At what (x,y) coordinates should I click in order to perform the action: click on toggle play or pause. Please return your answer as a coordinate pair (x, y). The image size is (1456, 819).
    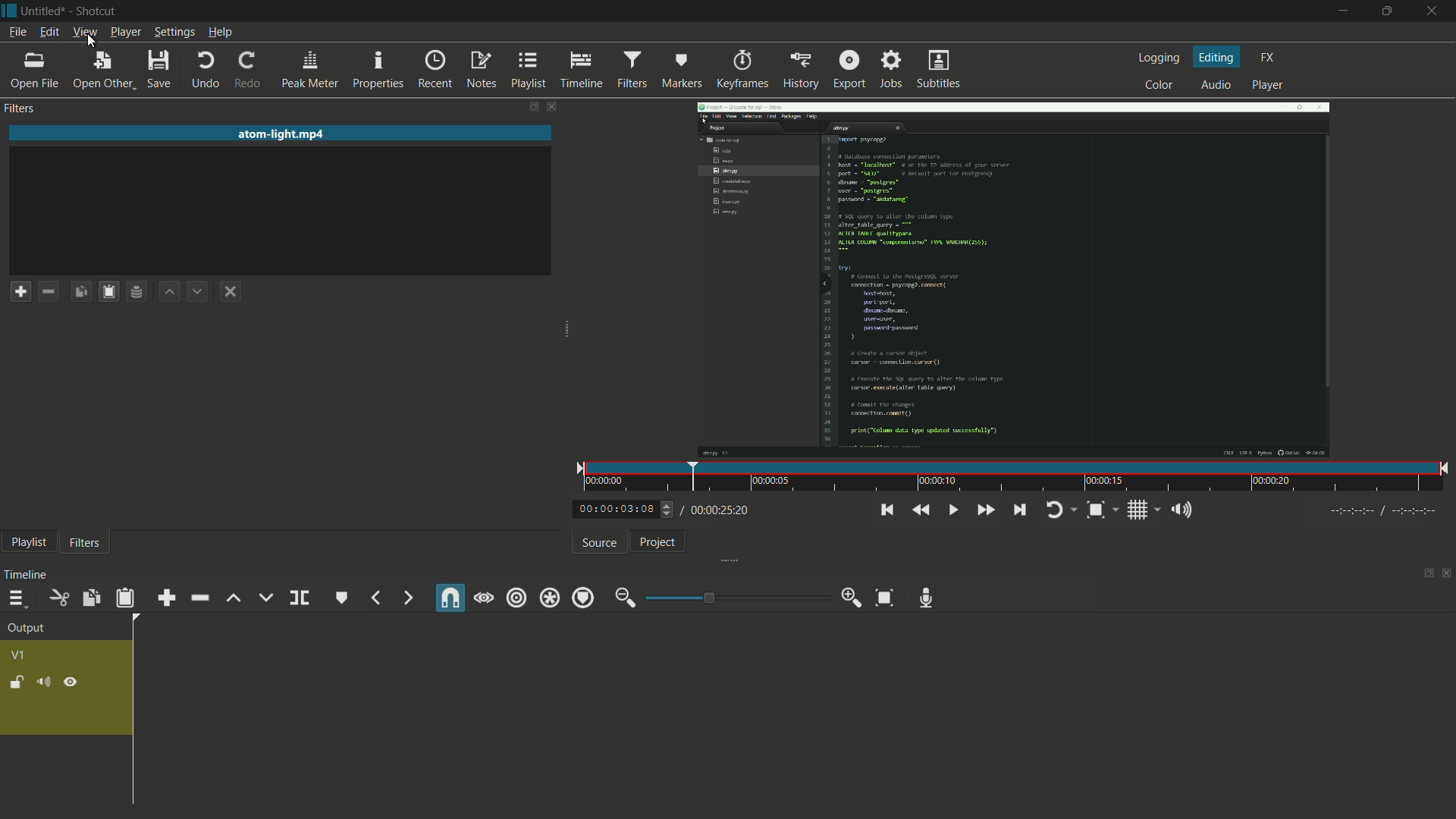
    Looking at the image, I should click on (954, 510).